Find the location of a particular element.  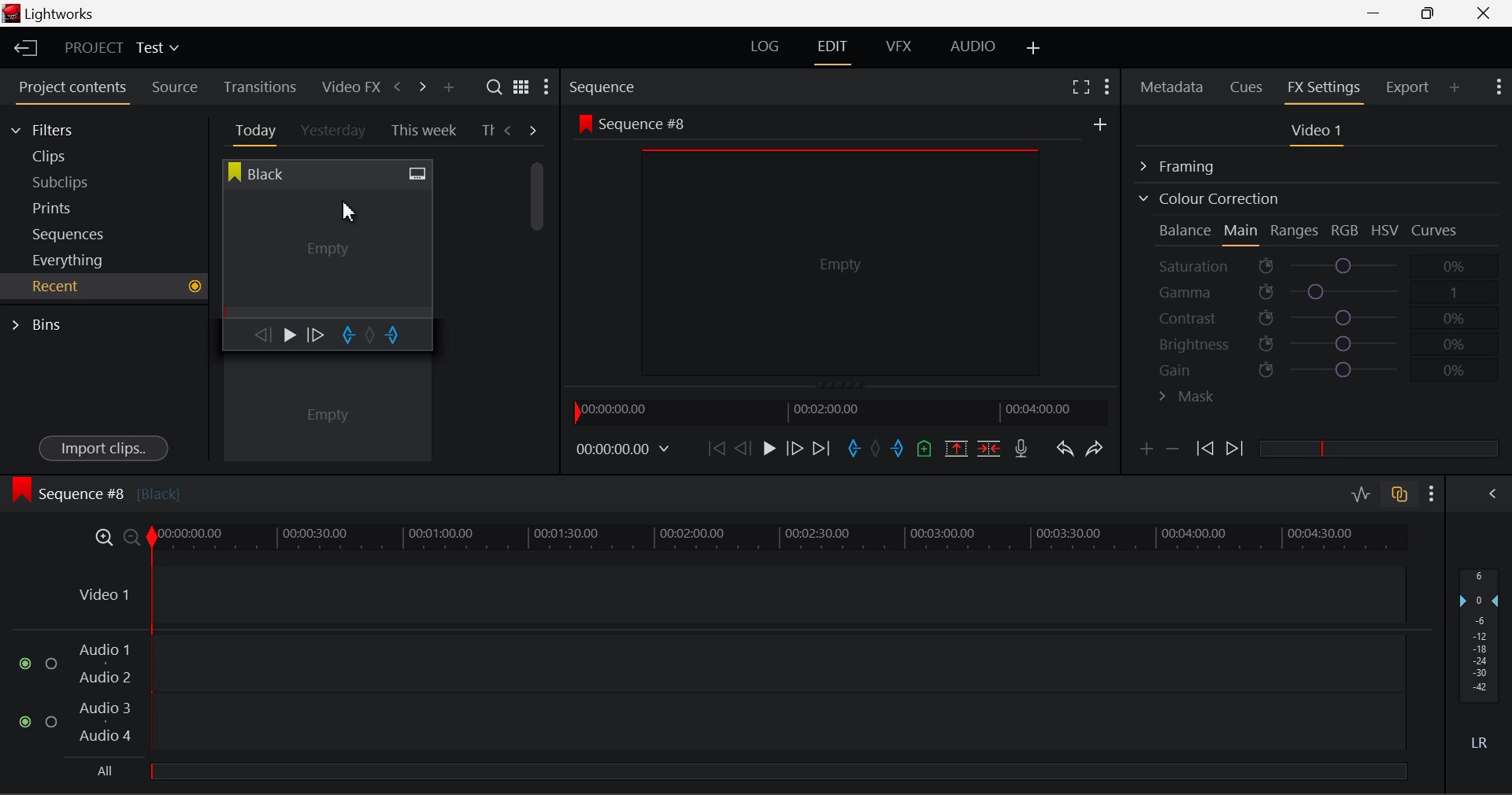

Cursor is located at coordinates (350, 209).